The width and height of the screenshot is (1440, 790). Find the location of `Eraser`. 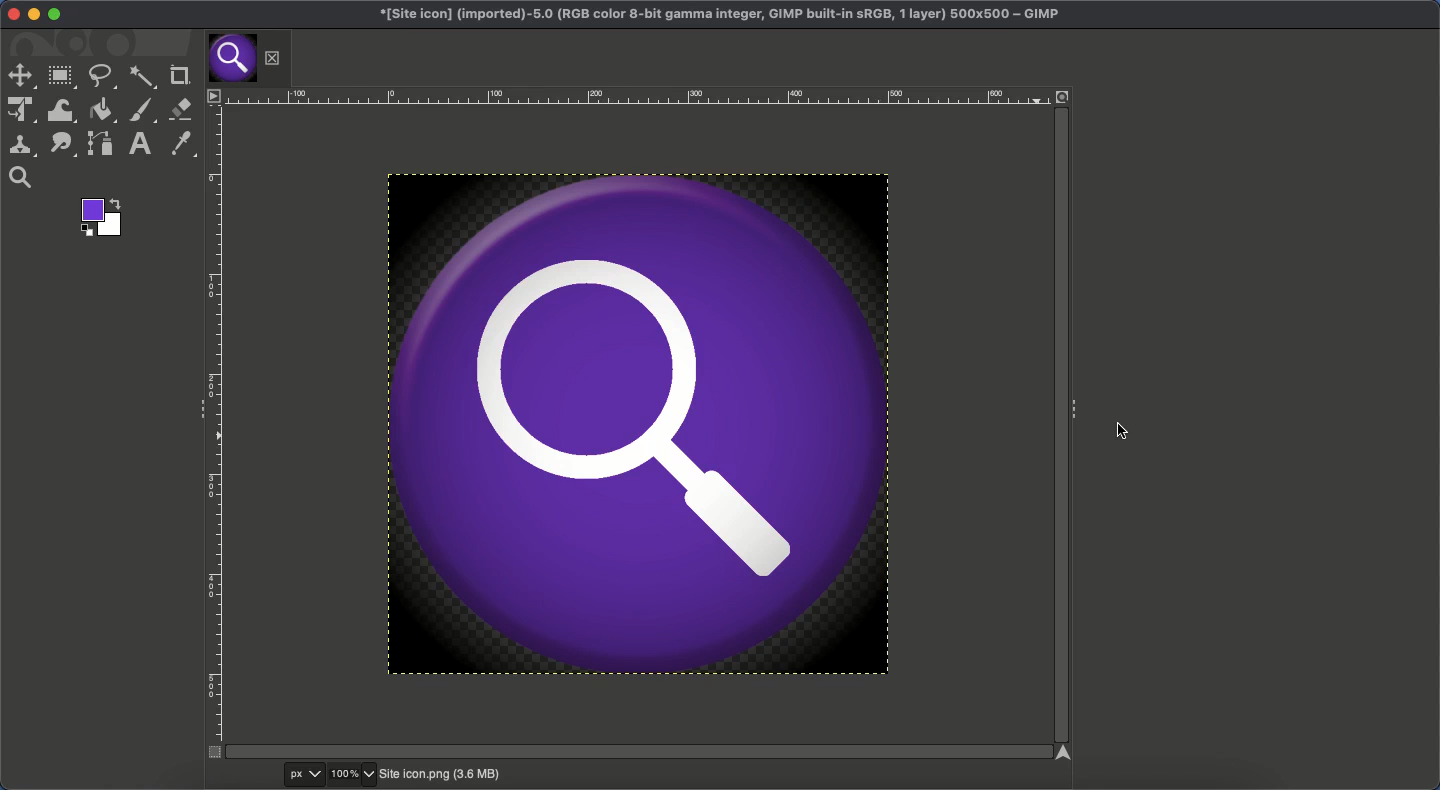

Eraser is located at coordinates (181, 110).